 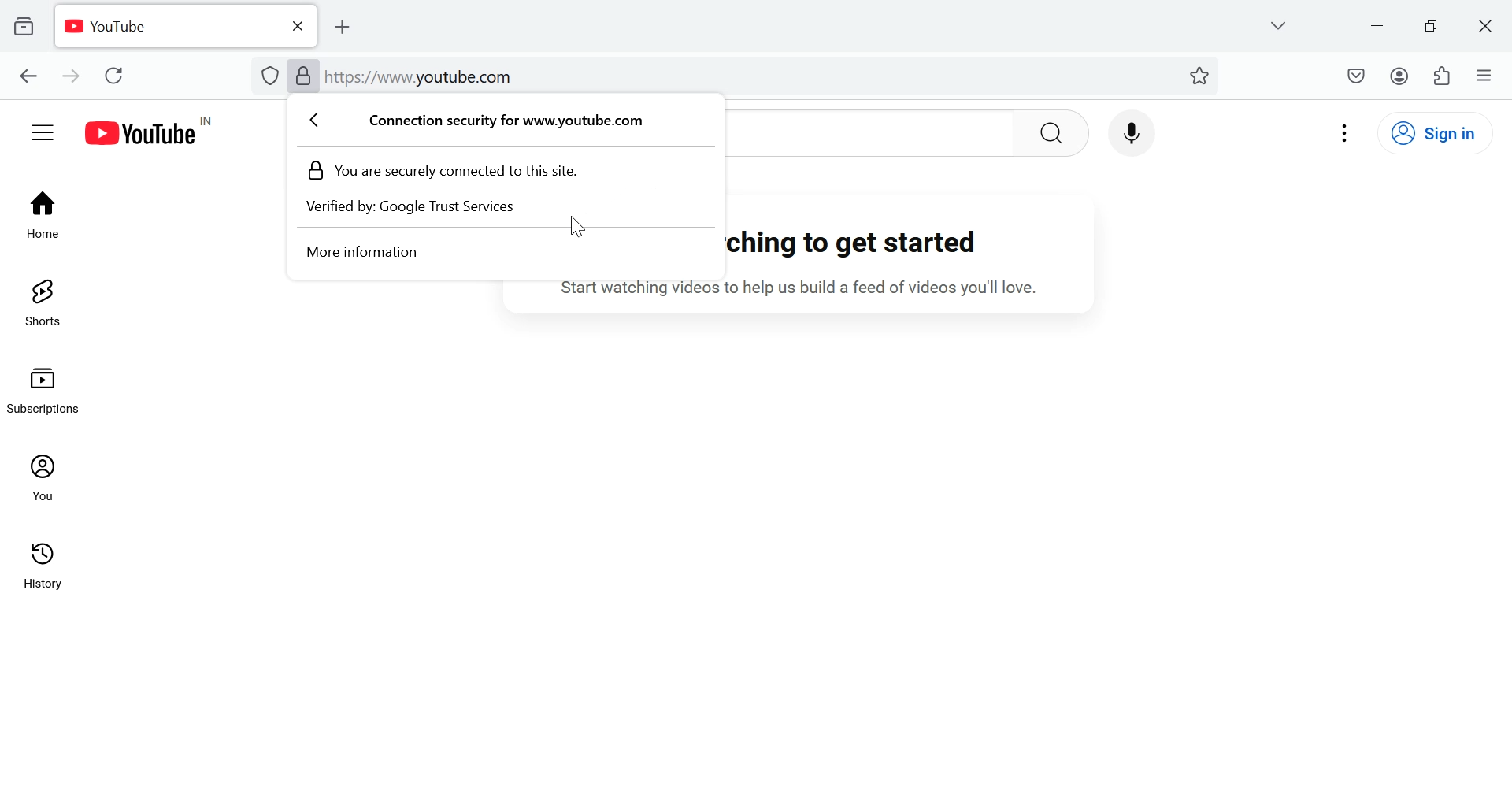 What do you see at coordinates (43, 131) in the screenshot?
I see `Menu` at bounding box center [43, 131].